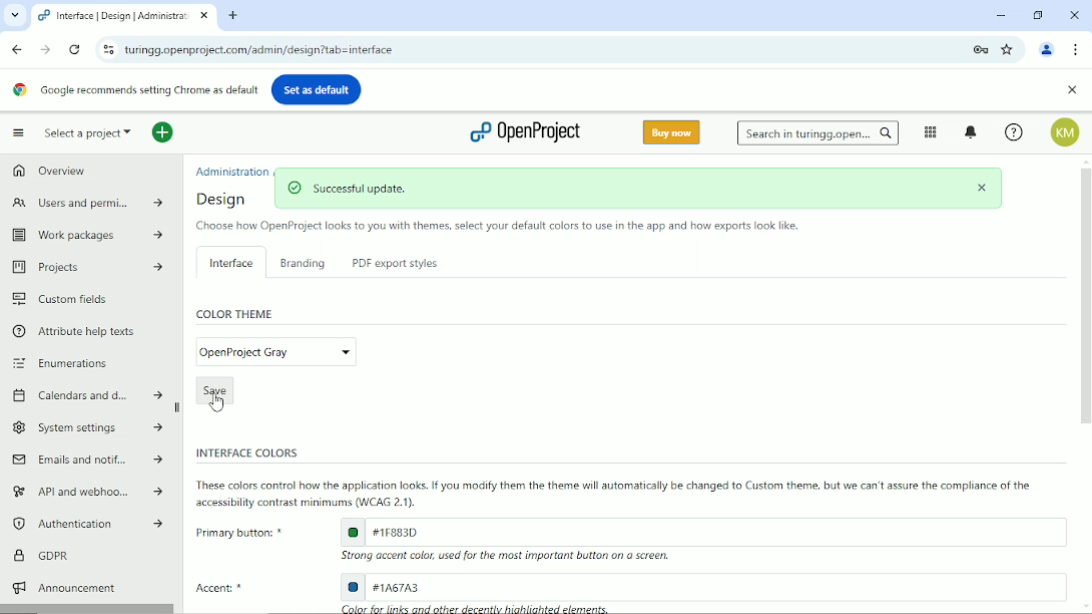 This screenshot has width=1092, height=614. Describe the element at coordinates (929, 132) in the screenshot. I see `Modules` at that location.